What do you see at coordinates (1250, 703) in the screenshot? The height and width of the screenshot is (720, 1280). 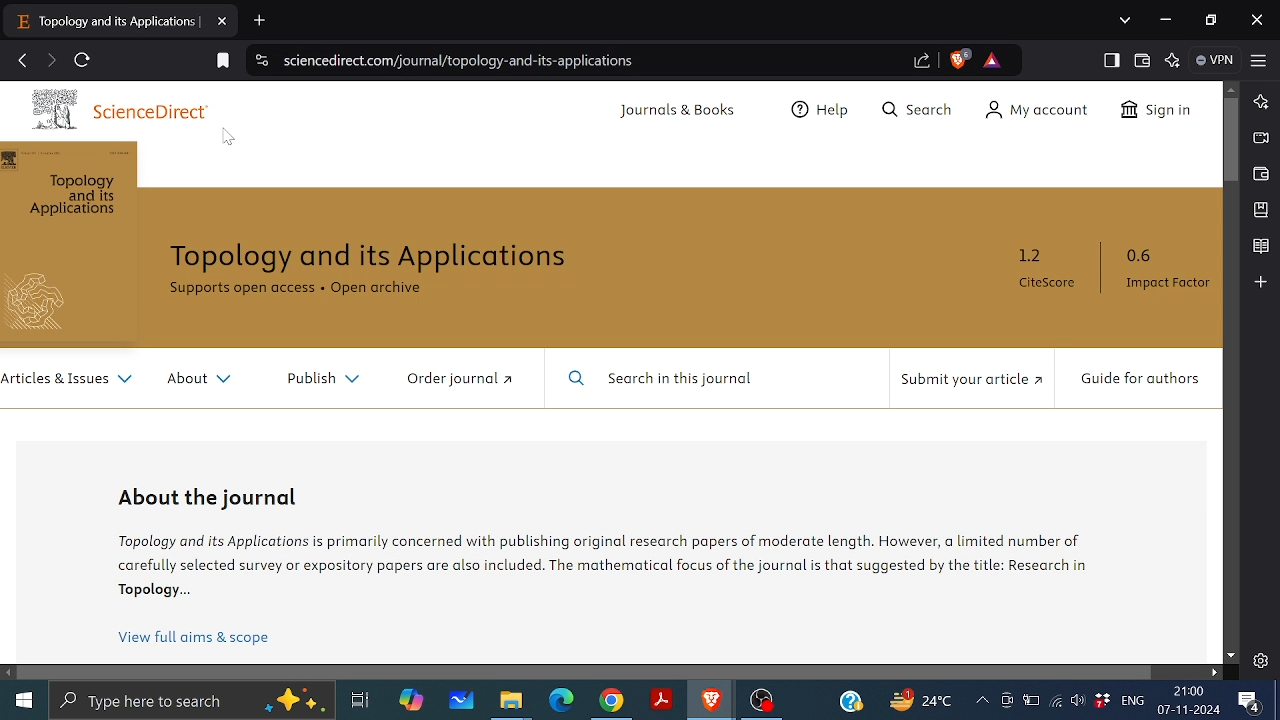 I see `Masseges` at bounding box center [1250, 703].